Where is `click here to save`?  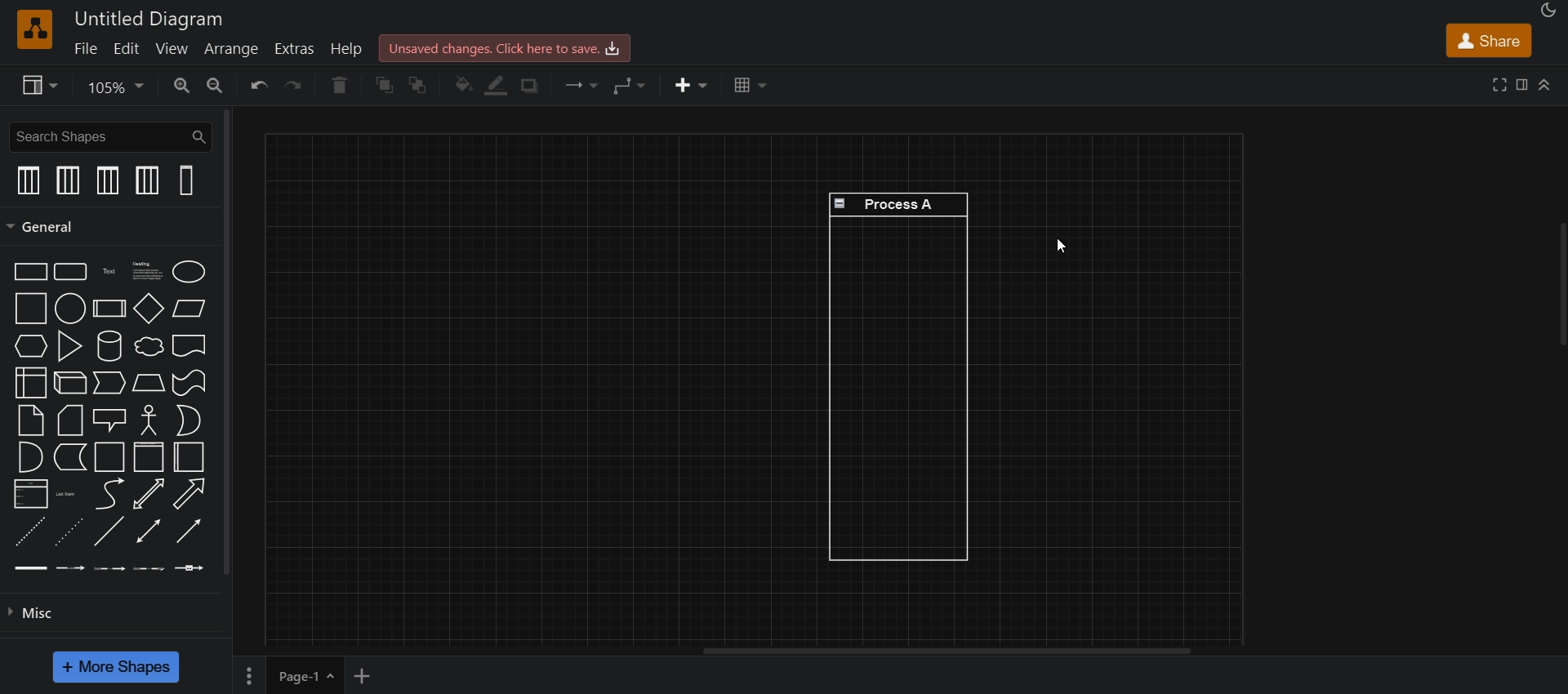 click here to save is located at coordinates (505, 47).